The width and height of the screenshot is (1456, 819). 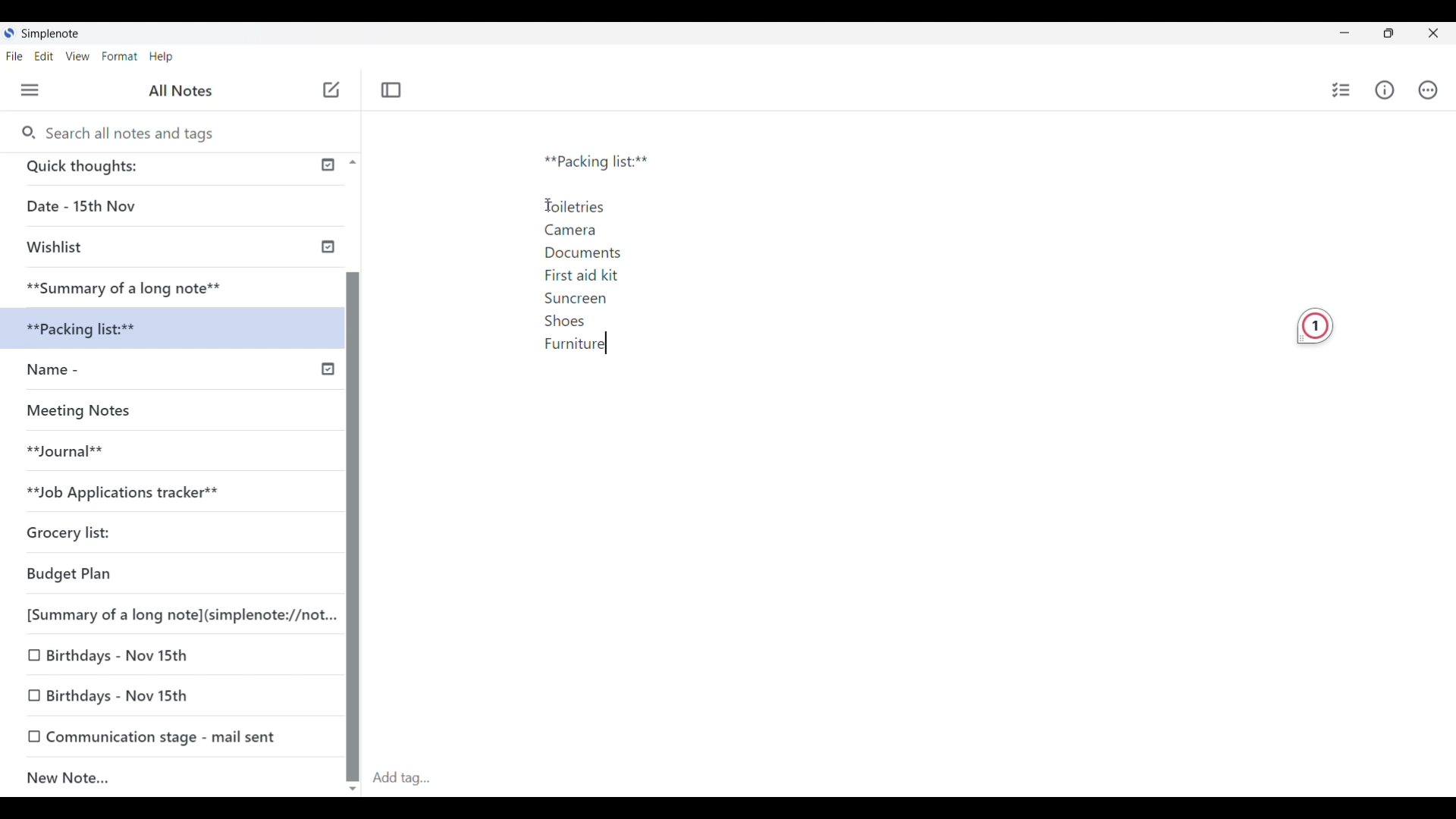 I want to click on Click to type in tag, so click(x=400, y=779).